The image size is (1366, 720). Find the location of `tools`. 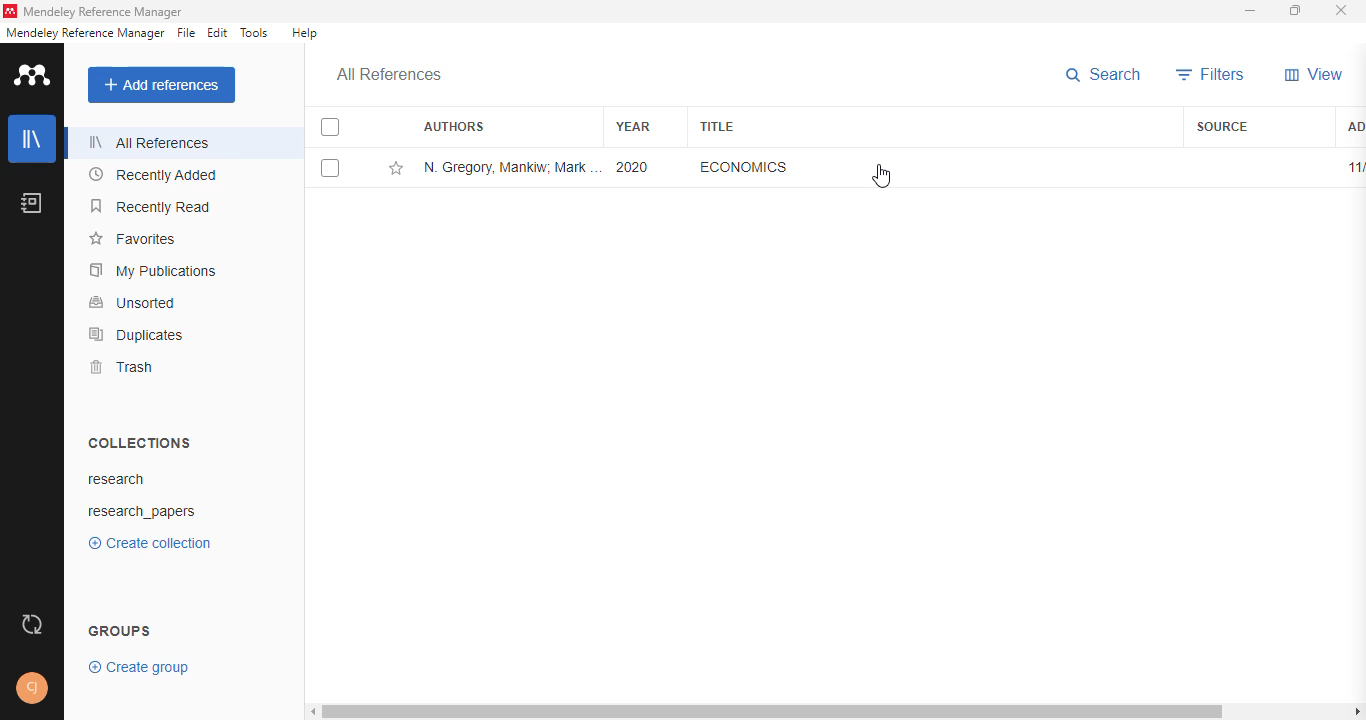

tools is located at coordinates (256, 33).